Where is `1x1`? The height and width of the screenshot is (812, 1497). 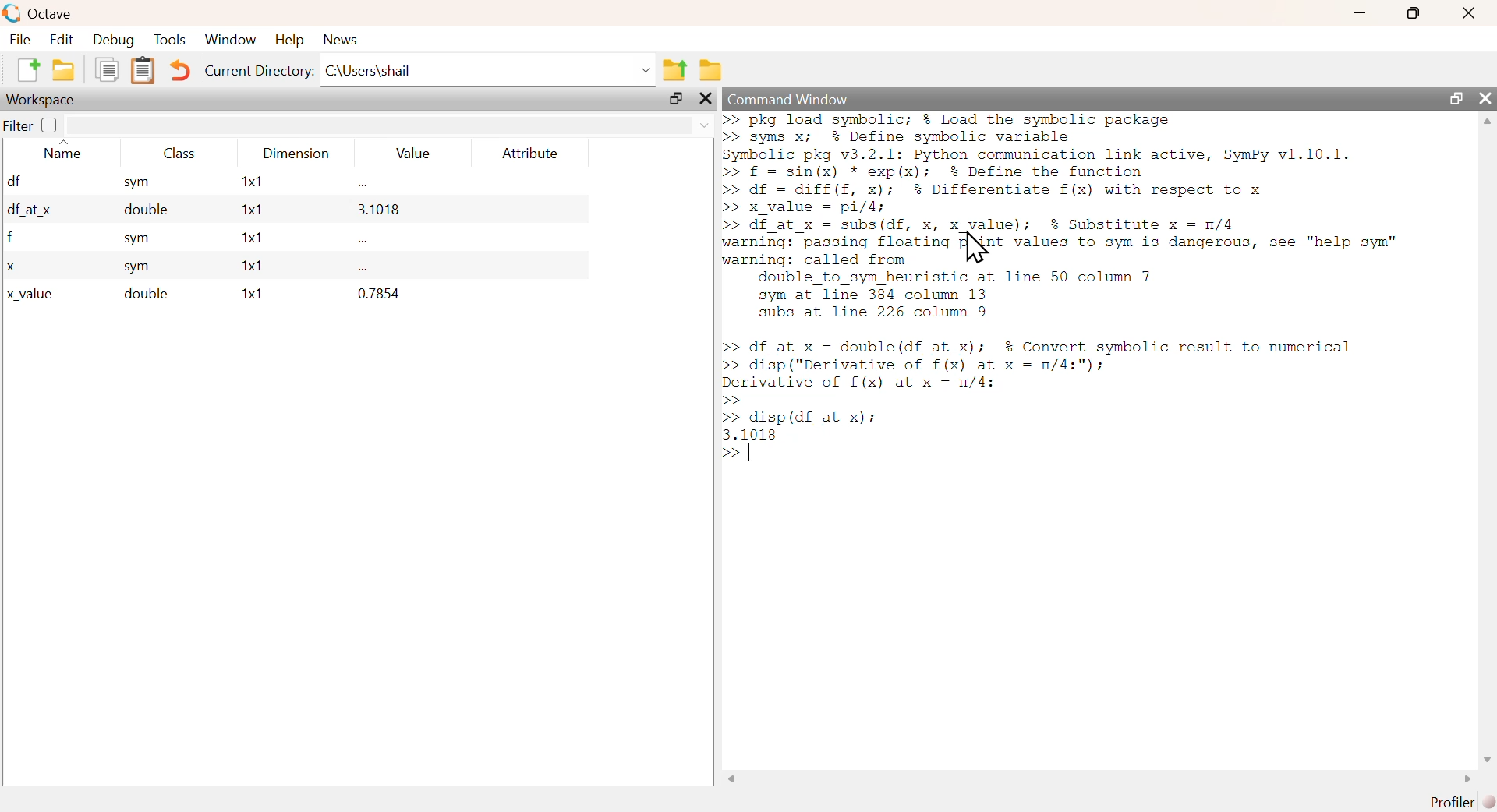 1x1 is located at coordinates (250, 294).